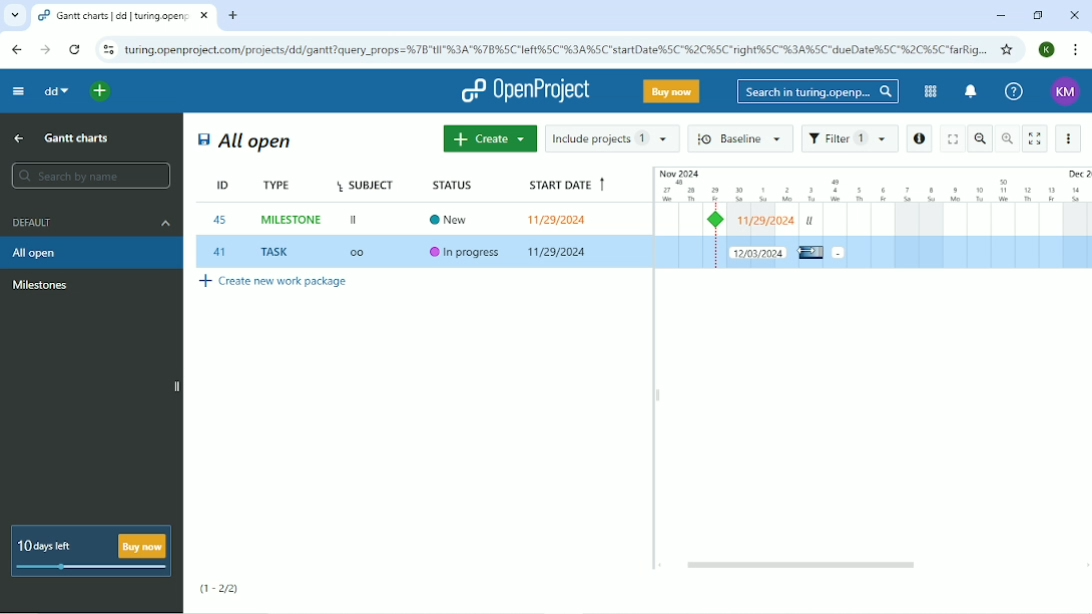 This screenshot has height=614, width=1092. I want to click on Minimize, so click(998, 16).